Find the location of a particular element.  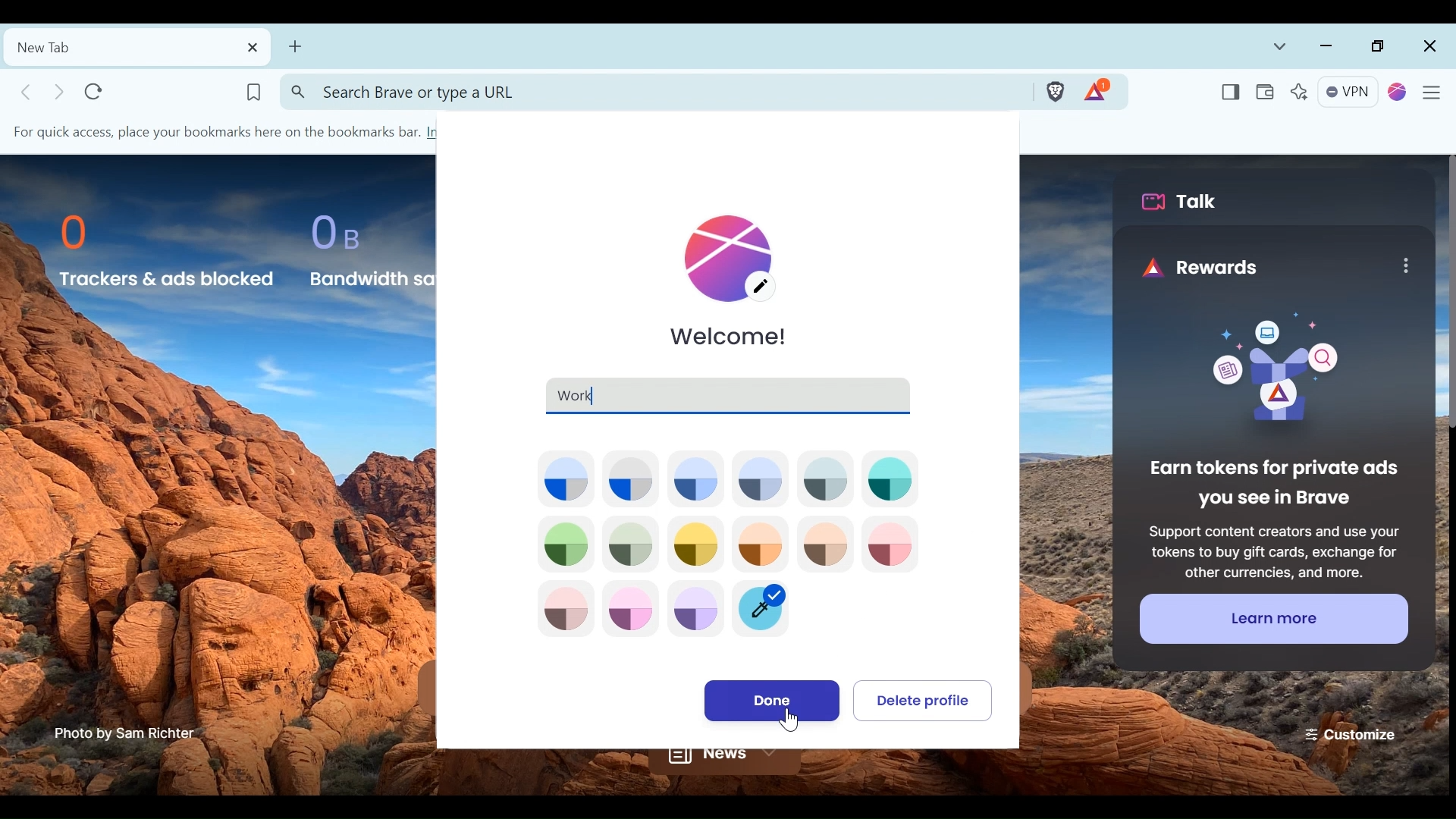

image is located at coordinates (1280, 359).